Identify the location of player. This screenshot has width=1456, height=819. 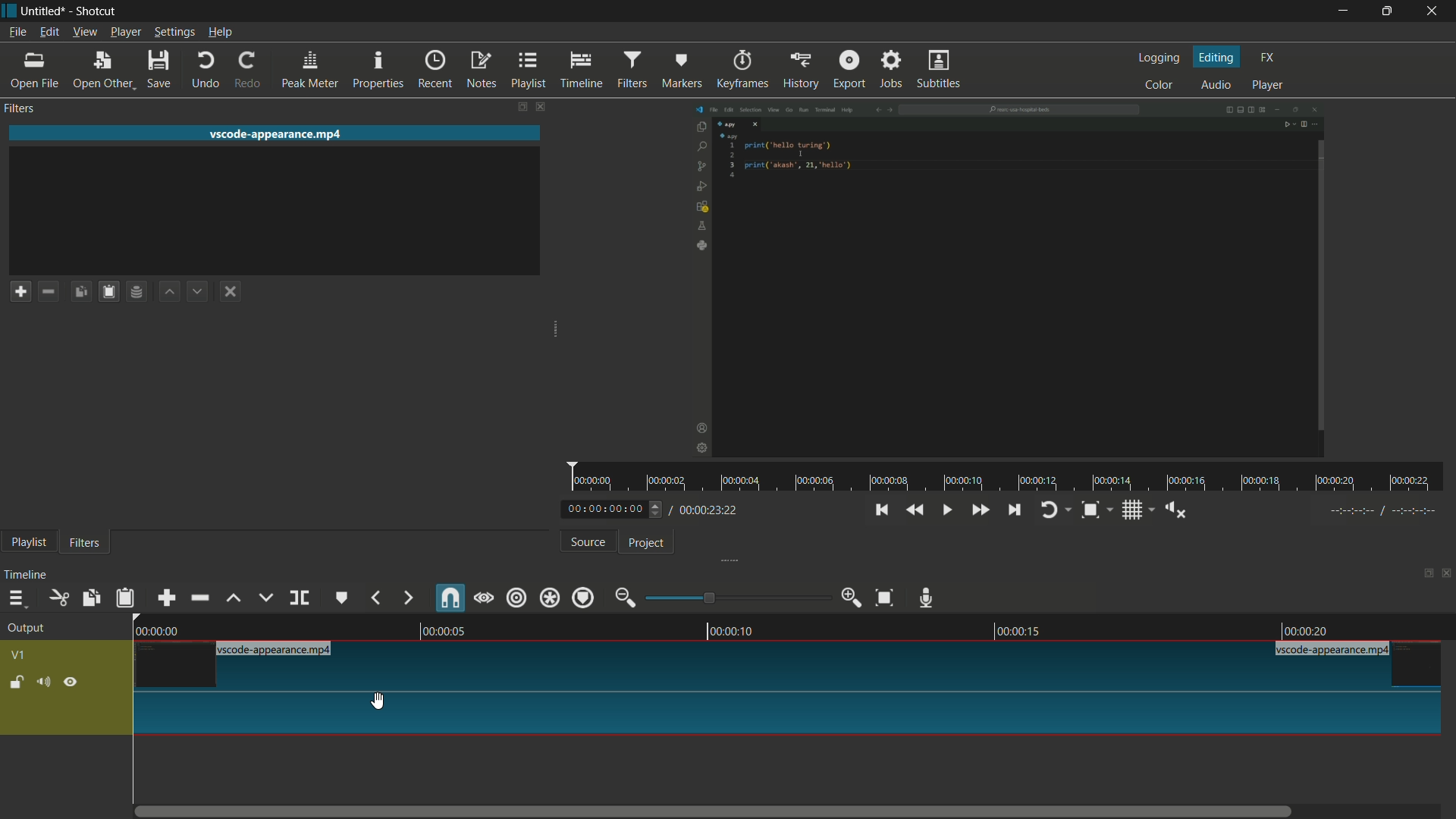
(1270, 84).